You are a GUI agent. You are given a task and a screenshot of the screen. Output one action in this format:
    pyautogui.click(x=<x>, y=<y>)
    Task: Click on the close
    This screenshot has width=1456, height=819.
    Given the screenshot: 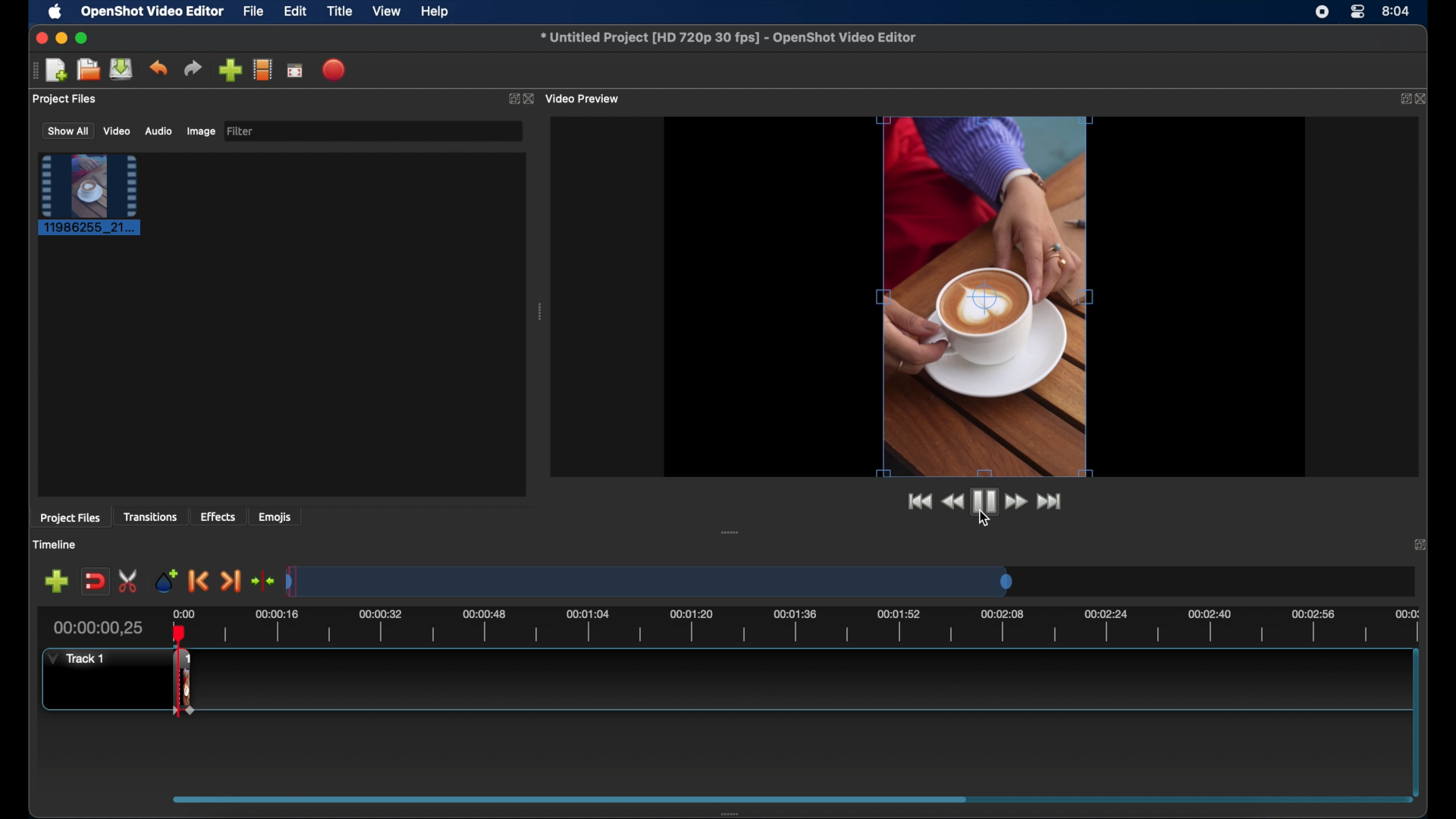 What is the action you would take?
    pyautogui.click(x=1424, y=99)
    